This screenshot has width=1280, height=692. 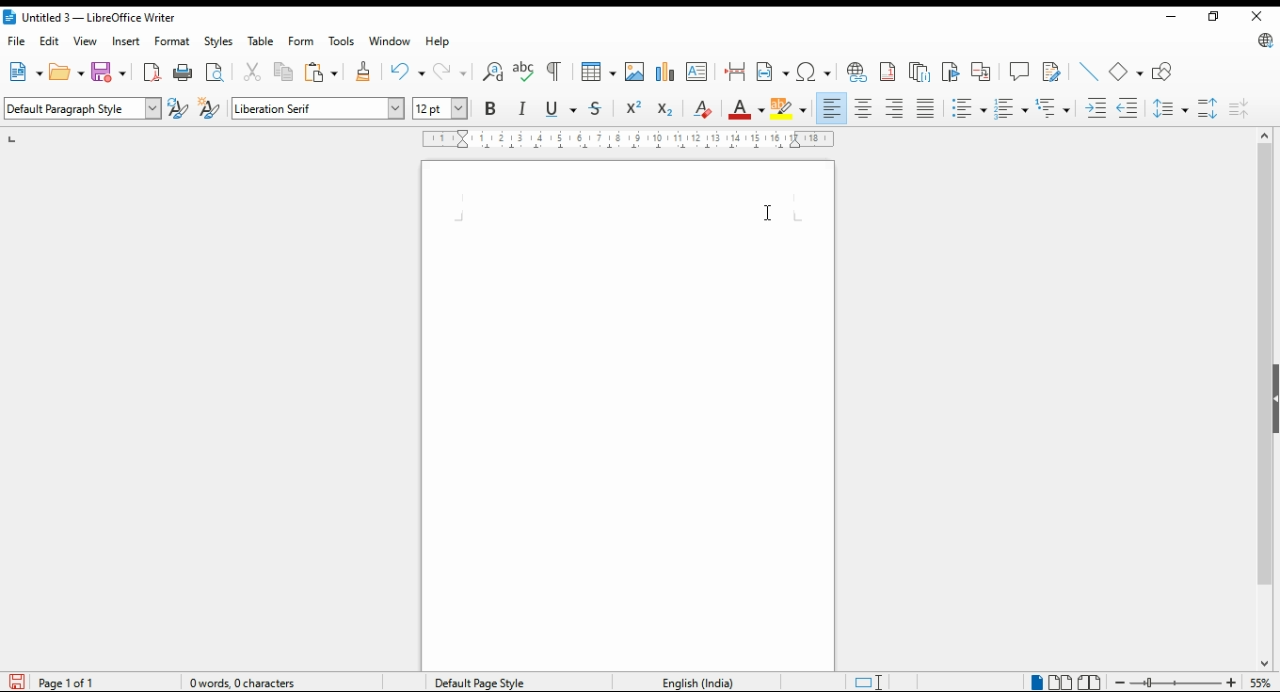 I want to click on basic shape, so click(x=1127, y=72).